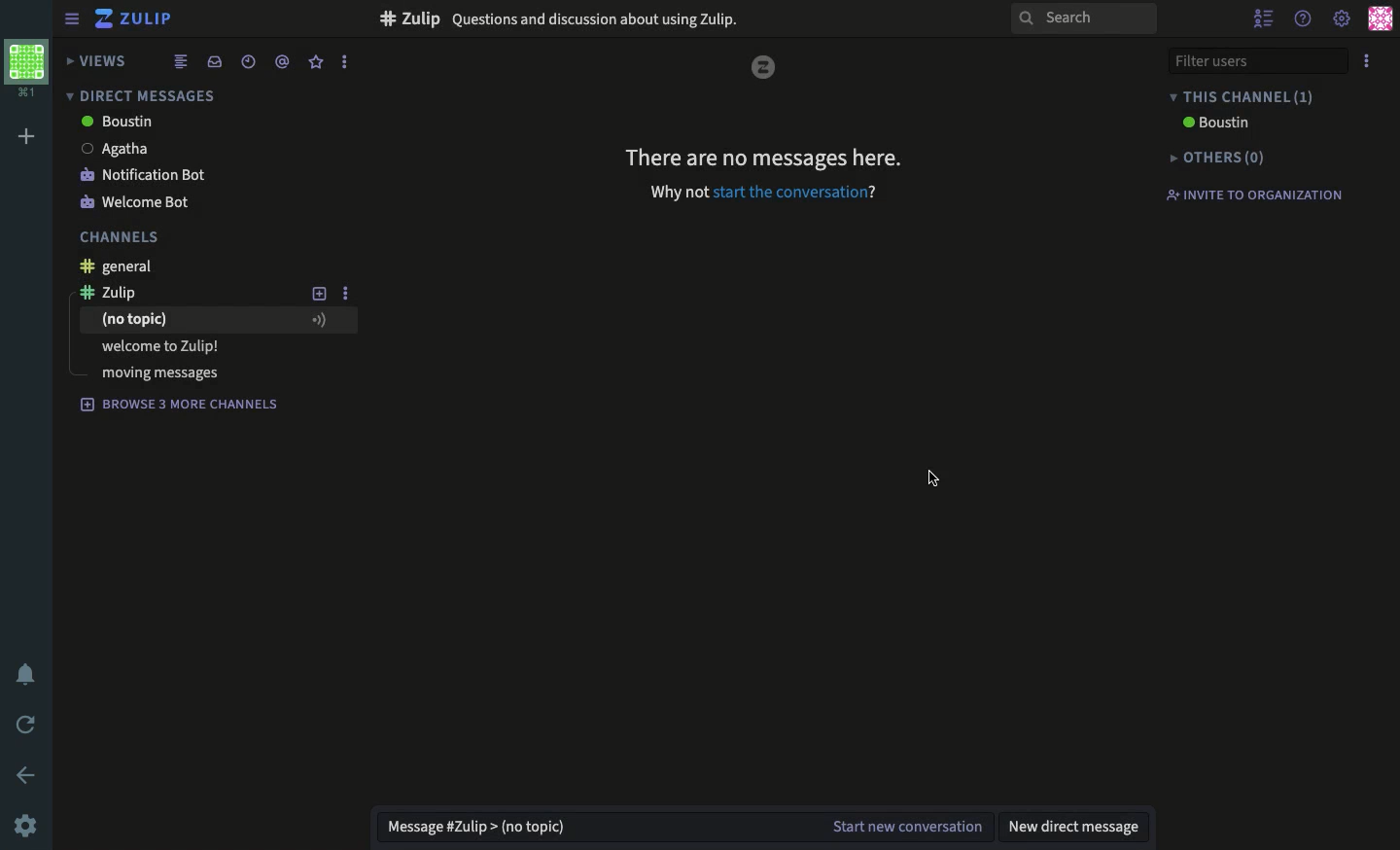  I want to click on add workspace, so click(28, 134).